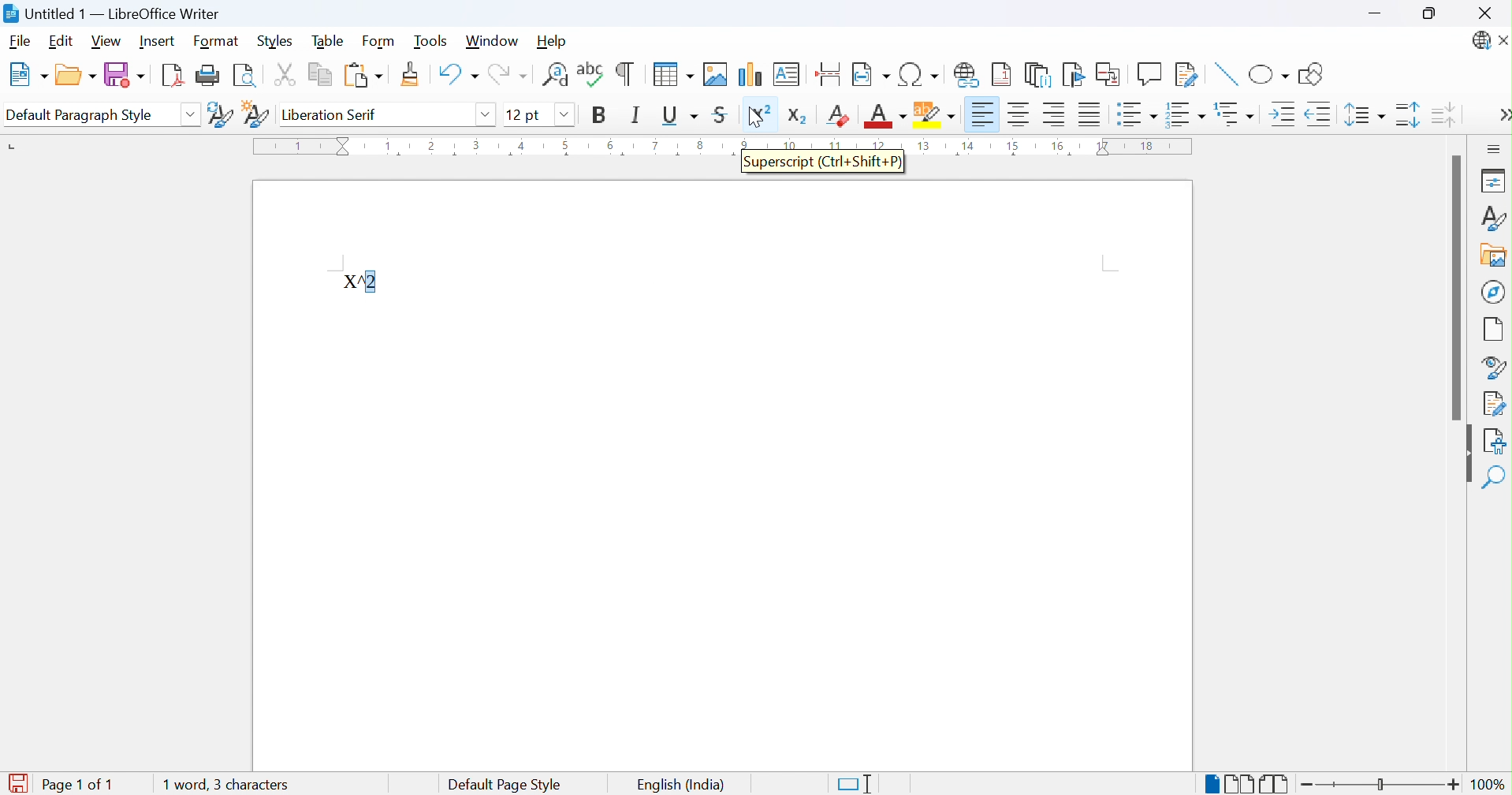  What do you see at coordinates (363, 76) in the screenshot?
I see `Paste` at bounding box center [363, 76].